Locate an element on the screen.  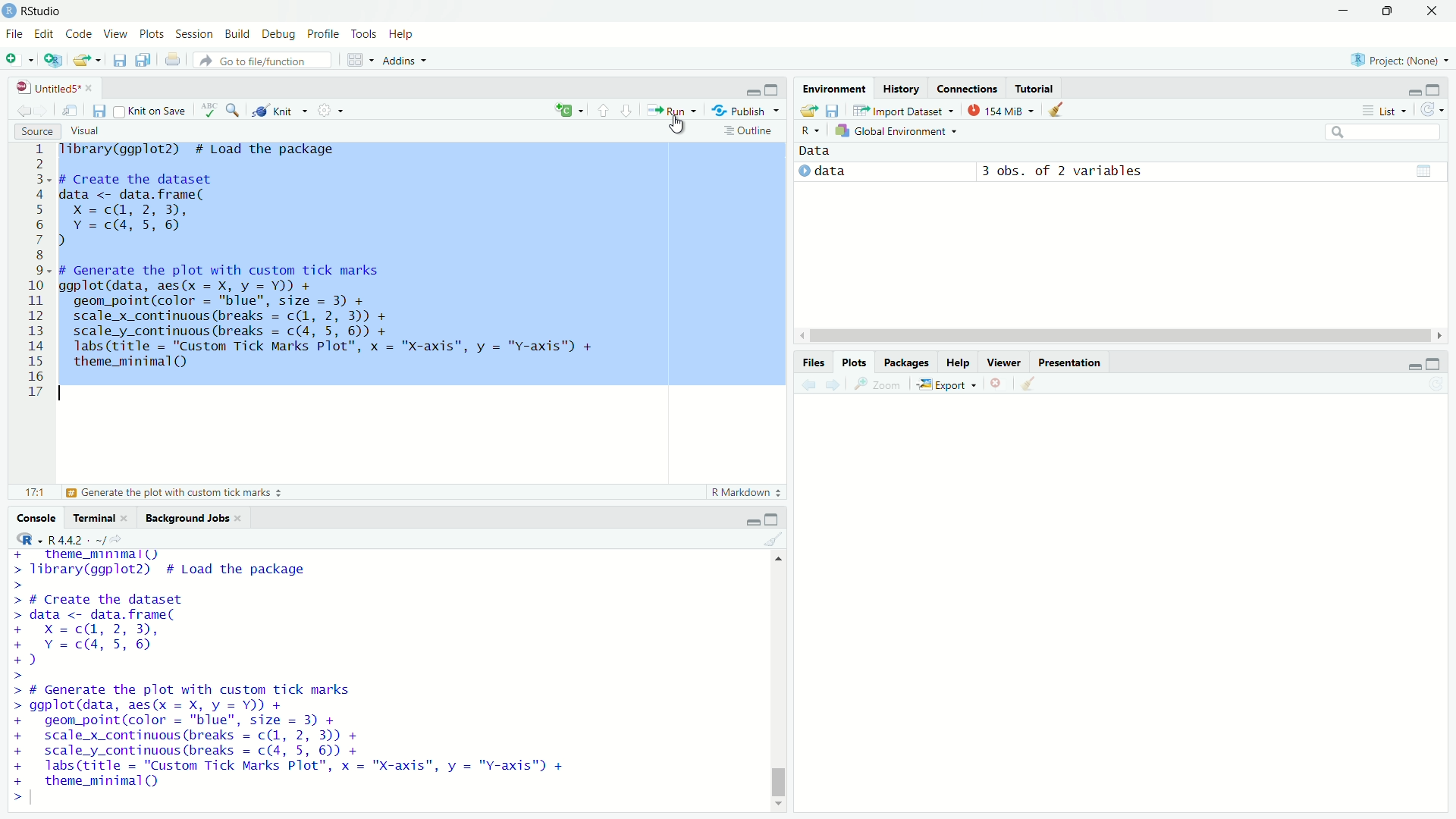
insert a code chunk is located at coordinates (568, 108).